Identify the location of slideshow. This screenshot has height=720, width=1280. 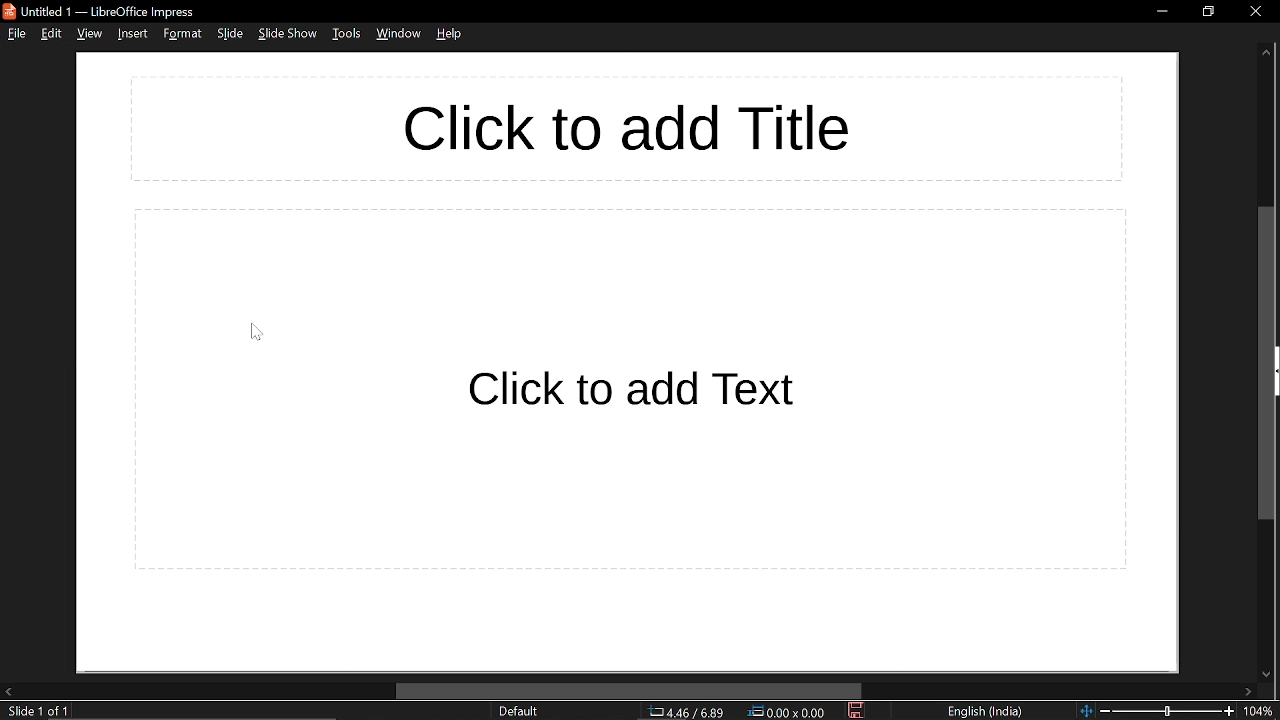
(289, 34).